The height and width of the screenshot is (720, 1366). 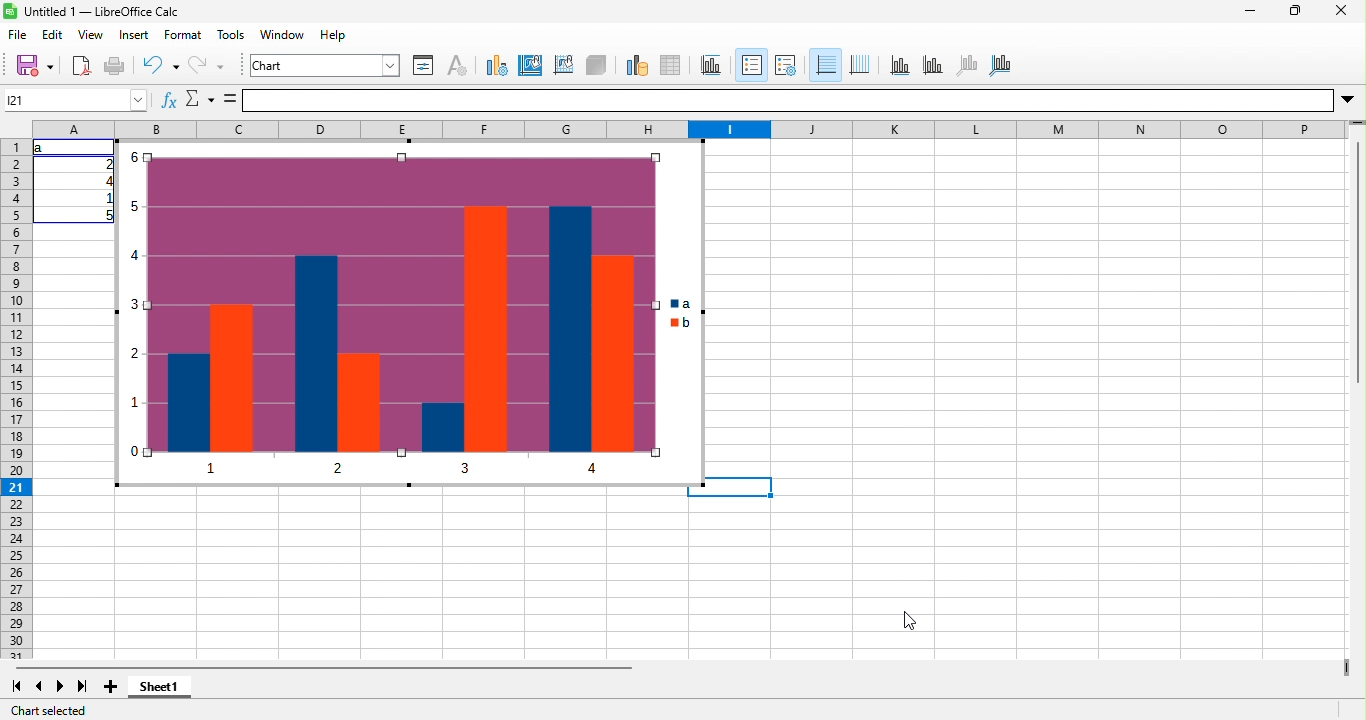 I want to click on 4, so click(x=106, y=181).